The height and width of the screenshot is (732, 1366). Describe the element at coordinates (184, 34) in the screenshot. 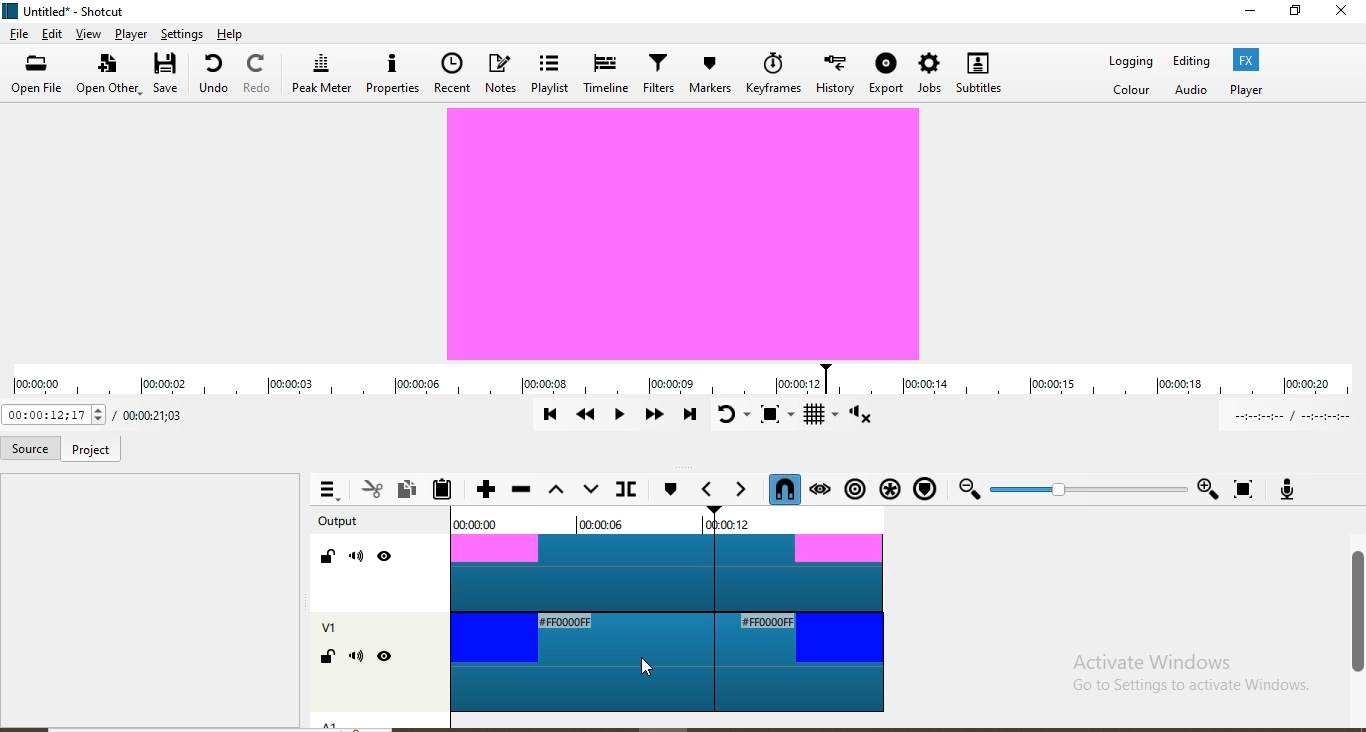

I see `Settings` at that location.